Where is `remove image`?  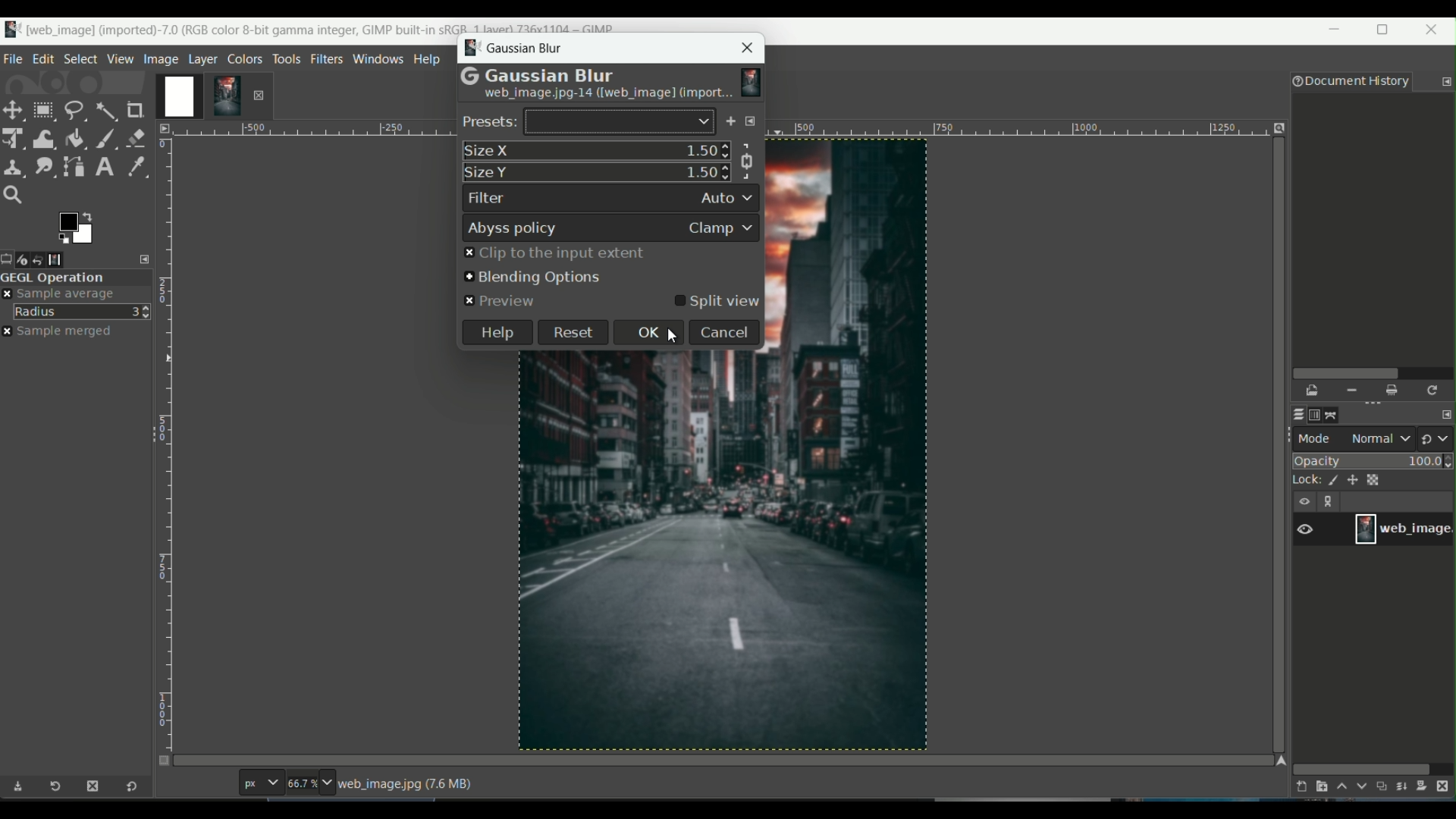 remove image is located at coordinates (259, 95).